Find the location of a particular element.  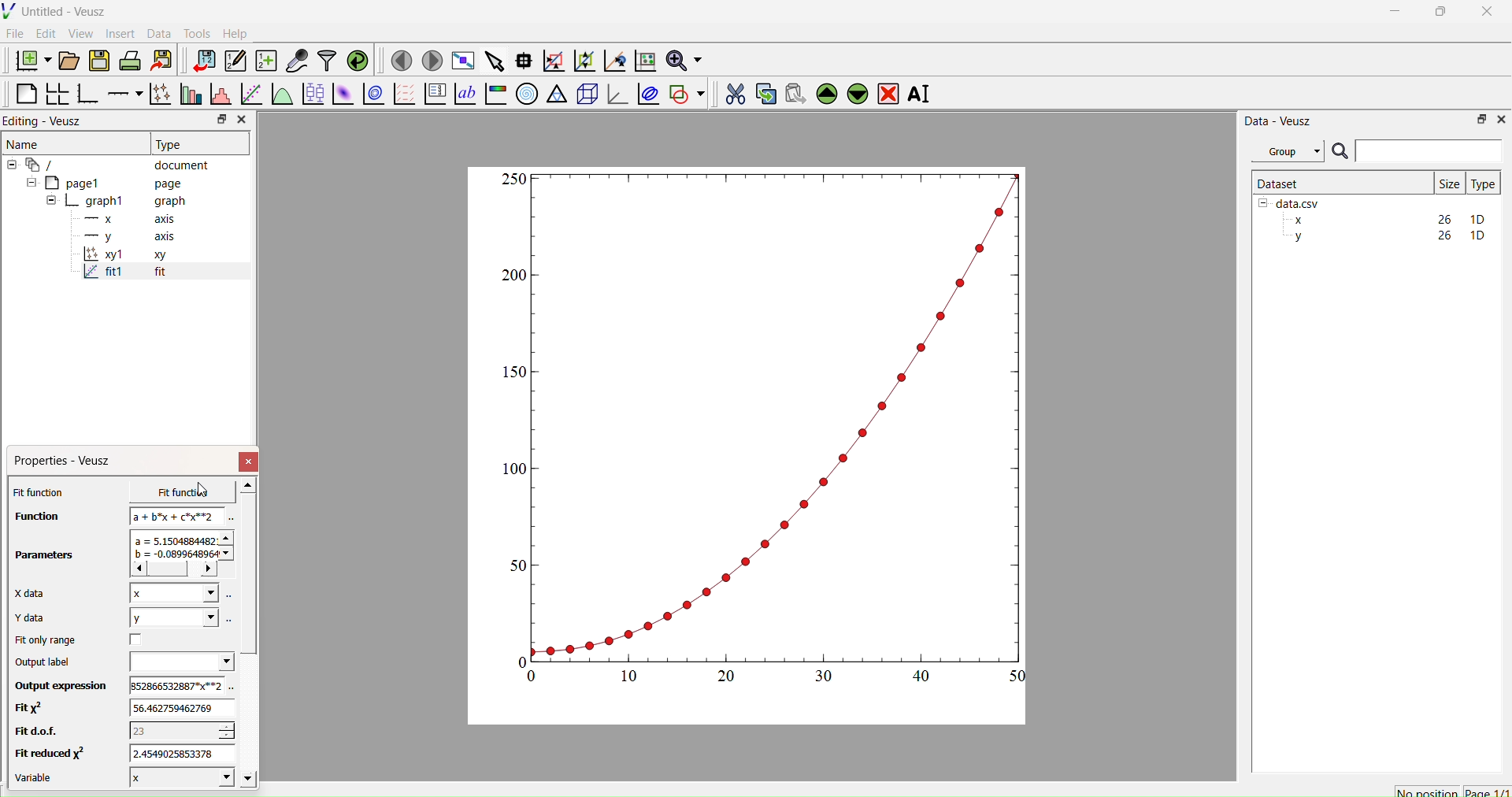

x  is located at coordinates (168, 593).